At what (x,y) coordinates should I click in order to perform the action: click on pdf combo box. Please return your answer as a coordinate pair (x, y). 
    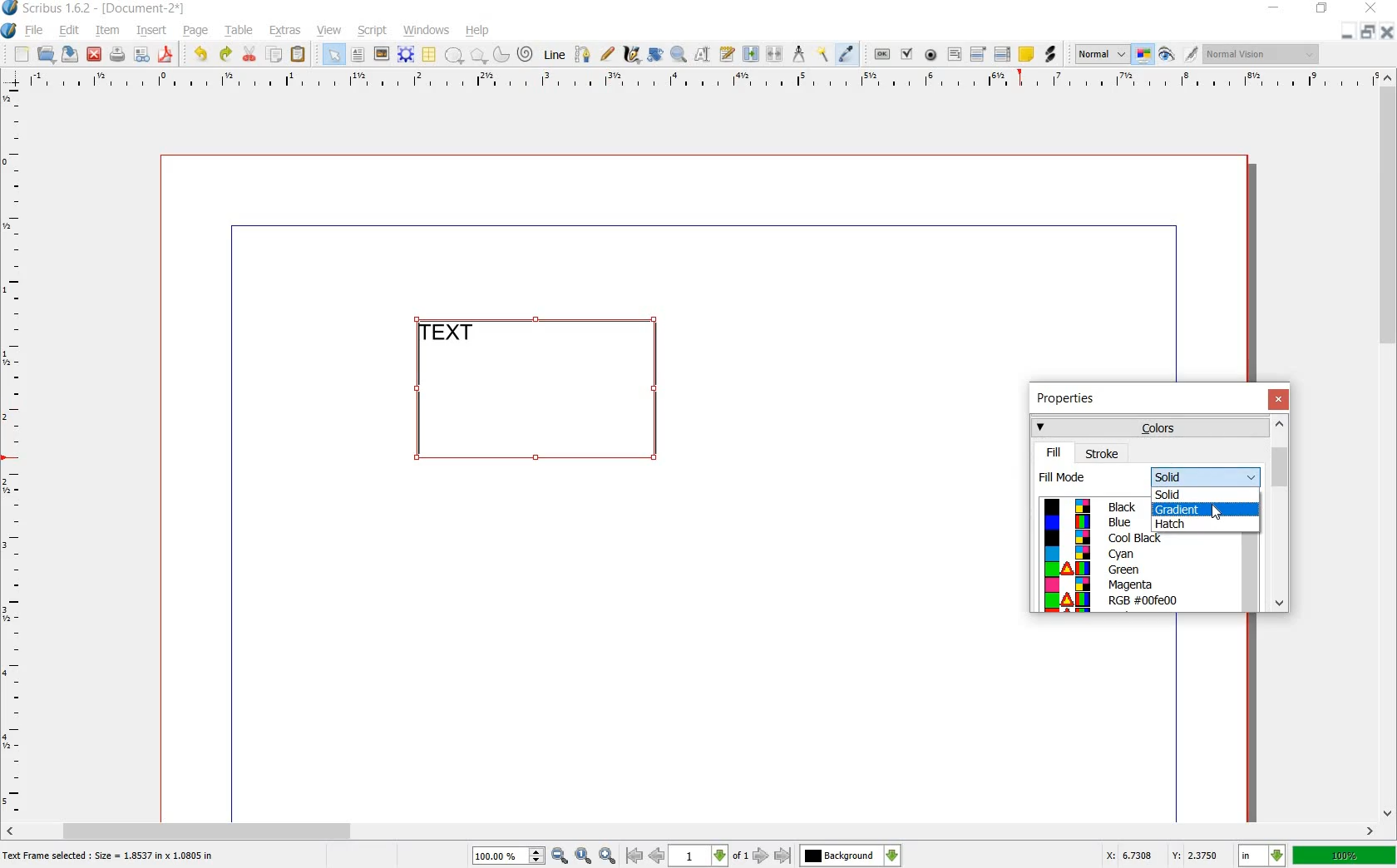
    Looking at the image, I should click on (979, 53).